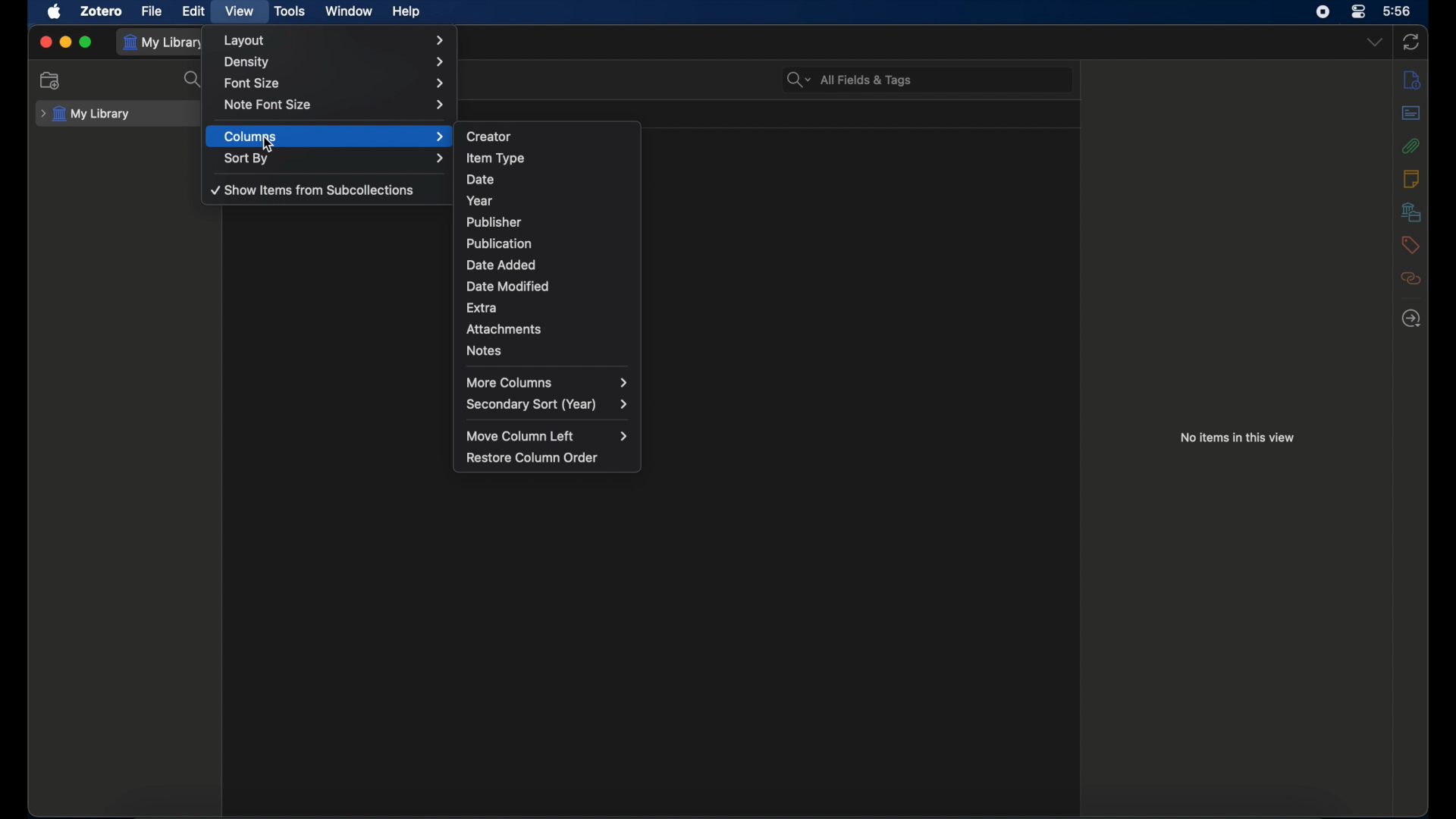  I want to click on secondary sort, so click(546, 404).